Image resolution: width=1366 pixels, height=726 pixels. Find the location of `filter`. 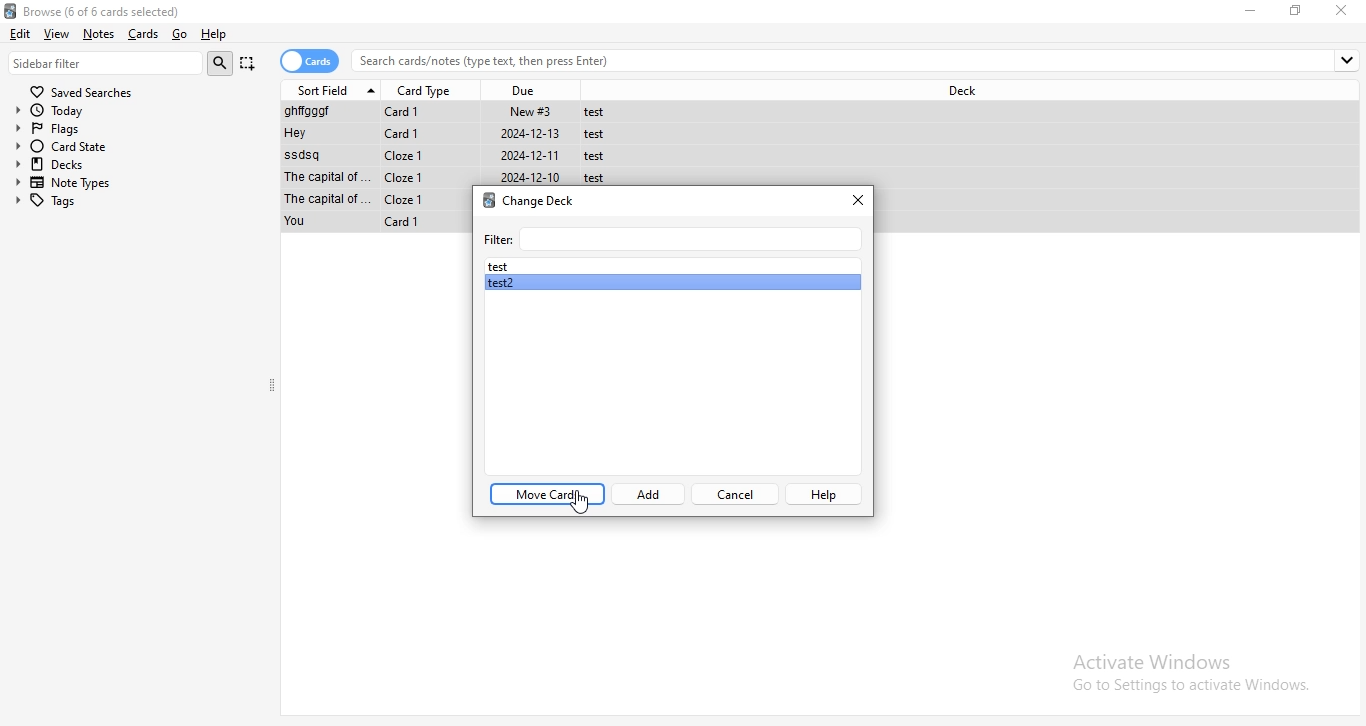

filter is located at coordinates (670, 238).